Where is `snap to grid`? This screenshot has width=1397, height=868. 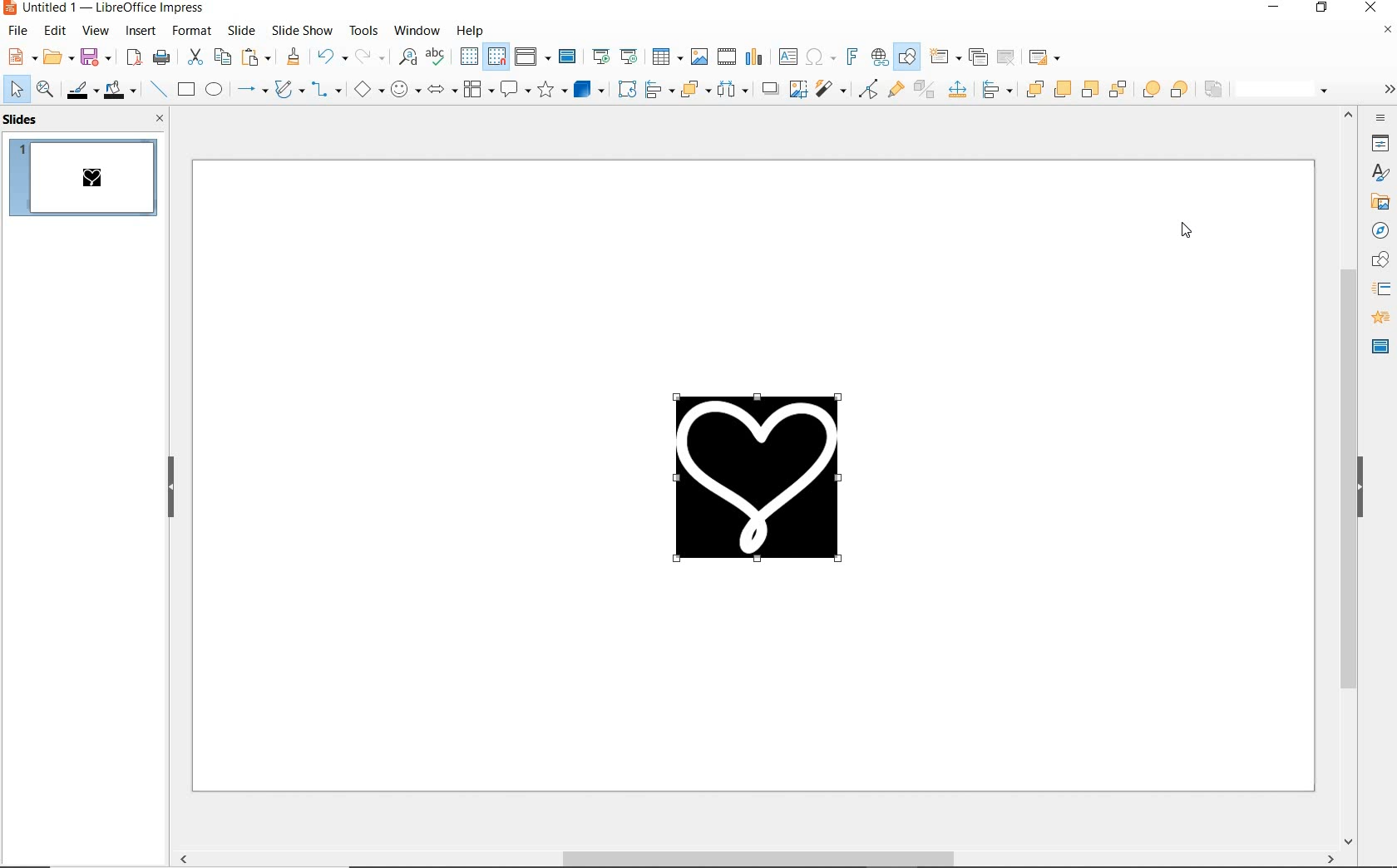 snap to grid is located at coordinates (497, 57).